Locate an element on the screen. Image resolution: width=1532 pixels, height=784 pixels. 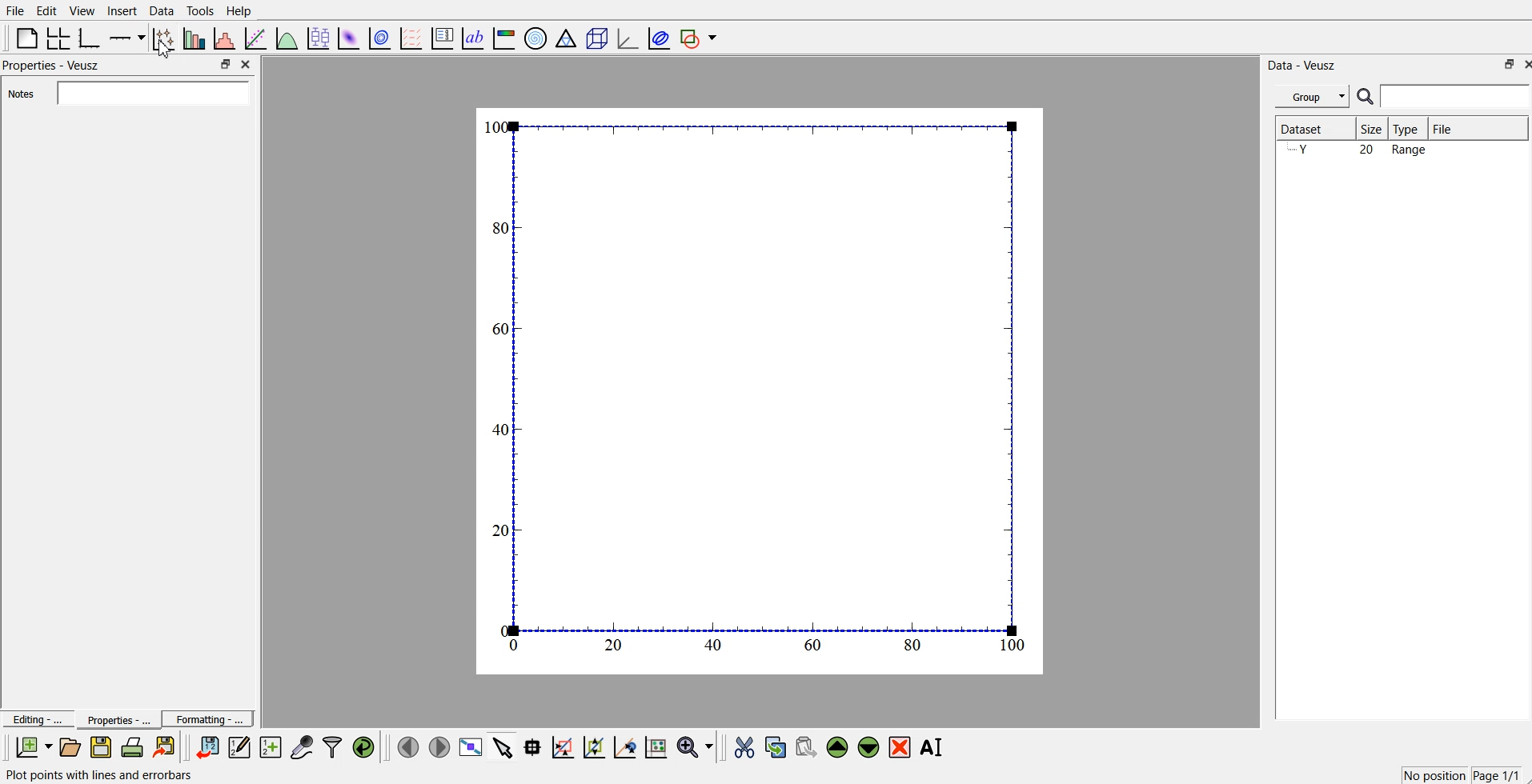
Type is located at coordinates (1410, 129).